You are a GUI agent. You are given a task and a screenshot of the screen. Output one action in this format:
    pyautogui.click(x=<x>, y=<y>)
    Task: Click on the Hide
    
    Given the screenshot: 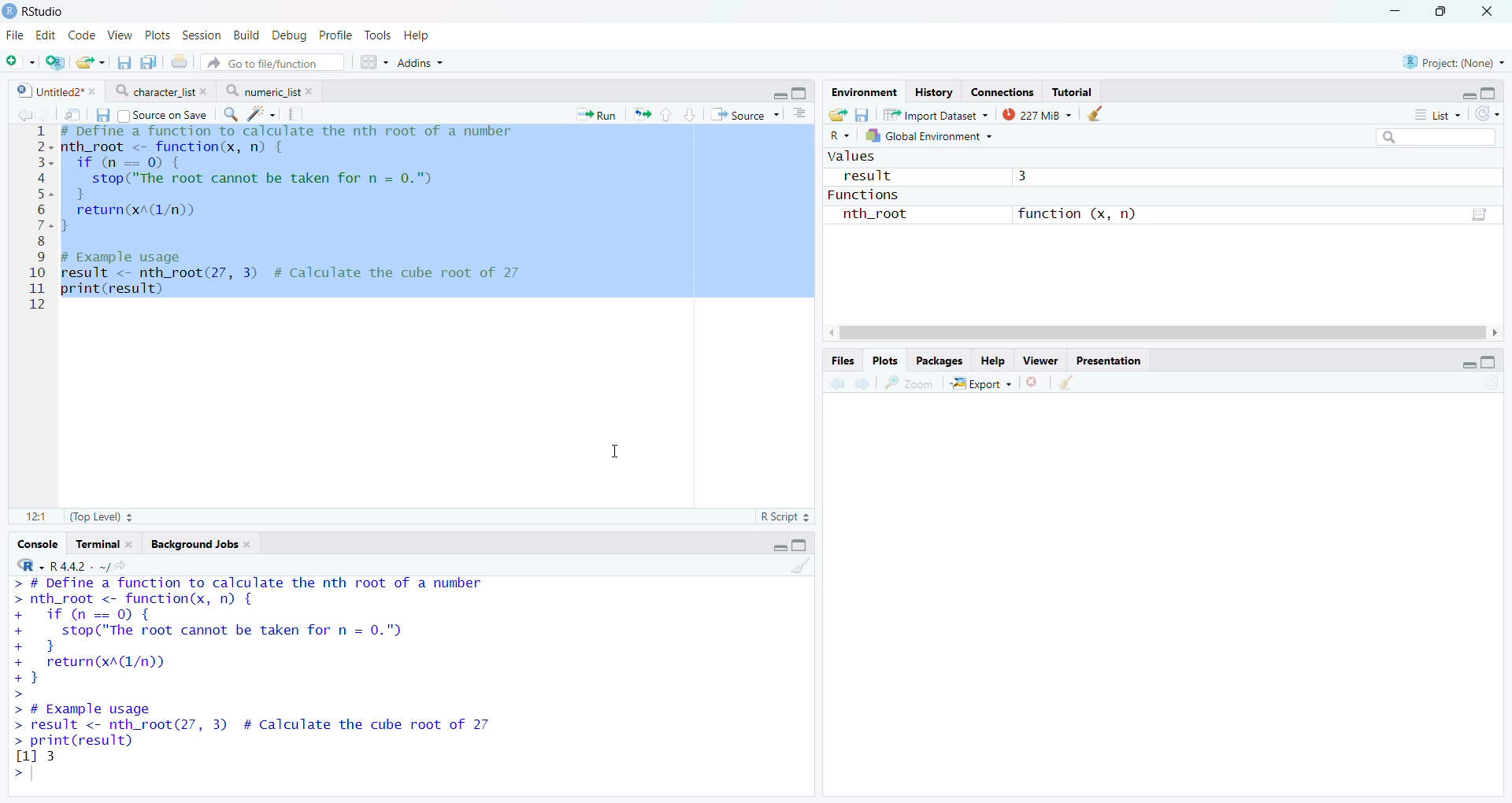 What is the action you would take?
    pyautogui.click(x=778, y=547)
    